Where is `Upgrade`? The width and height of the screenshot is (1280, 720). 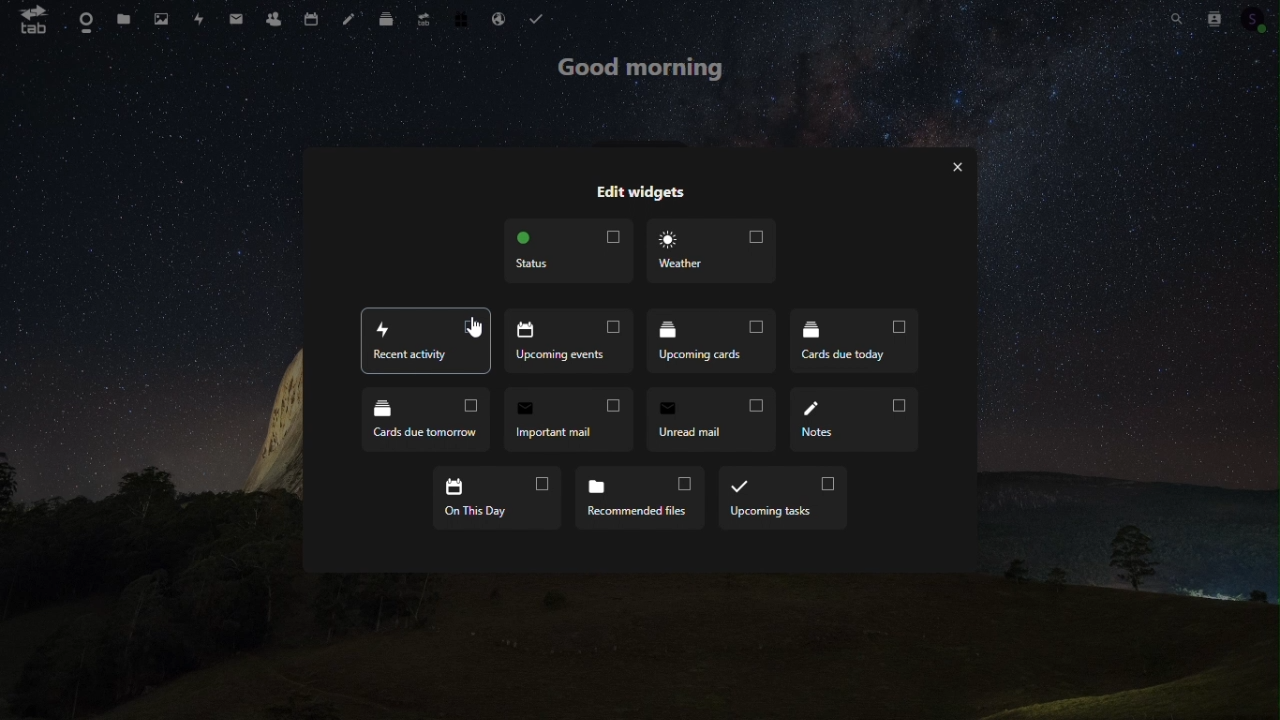
Upgrade is located at coordinates (424, 17).